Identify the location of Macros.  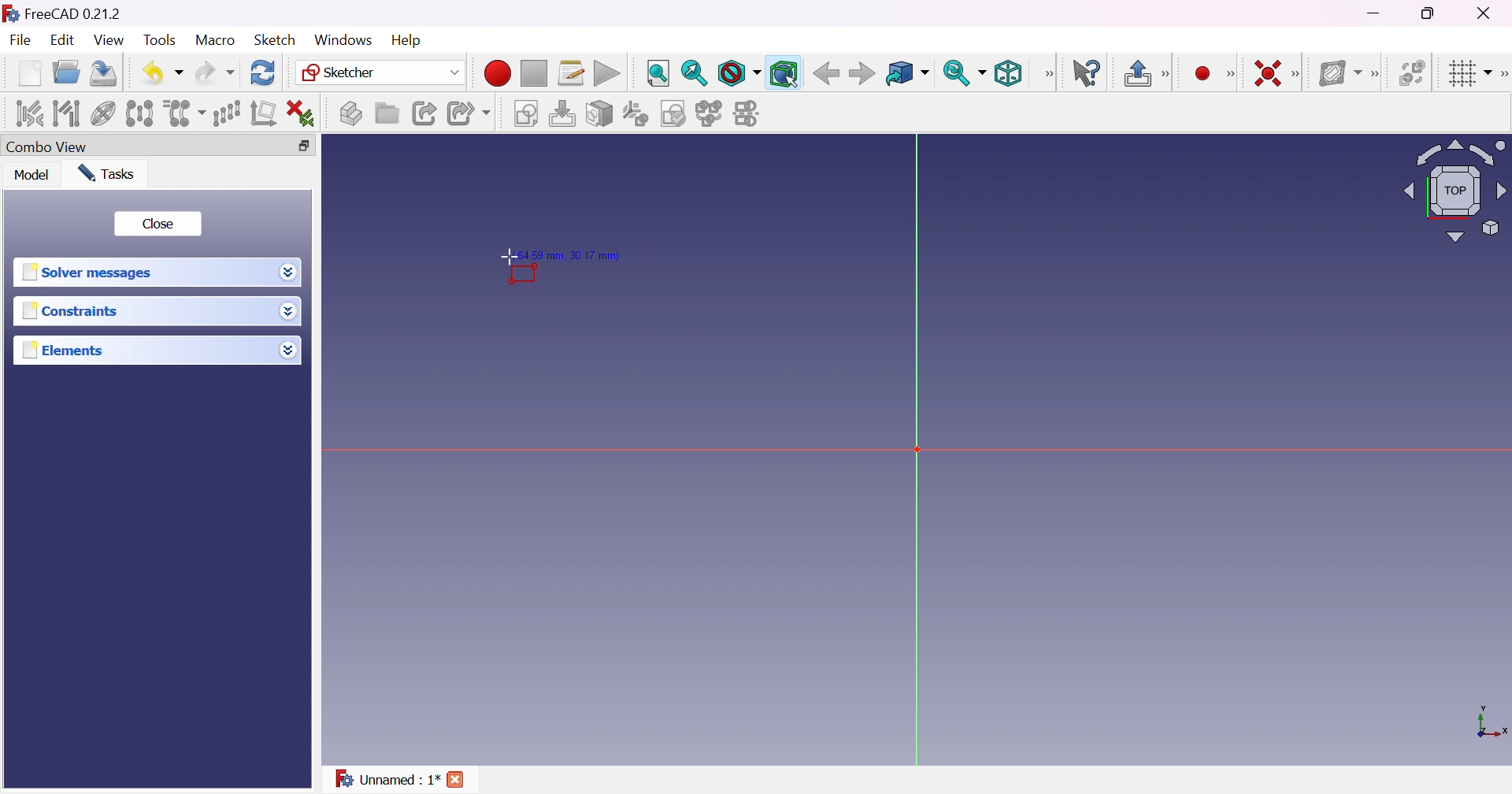
(572, 72).